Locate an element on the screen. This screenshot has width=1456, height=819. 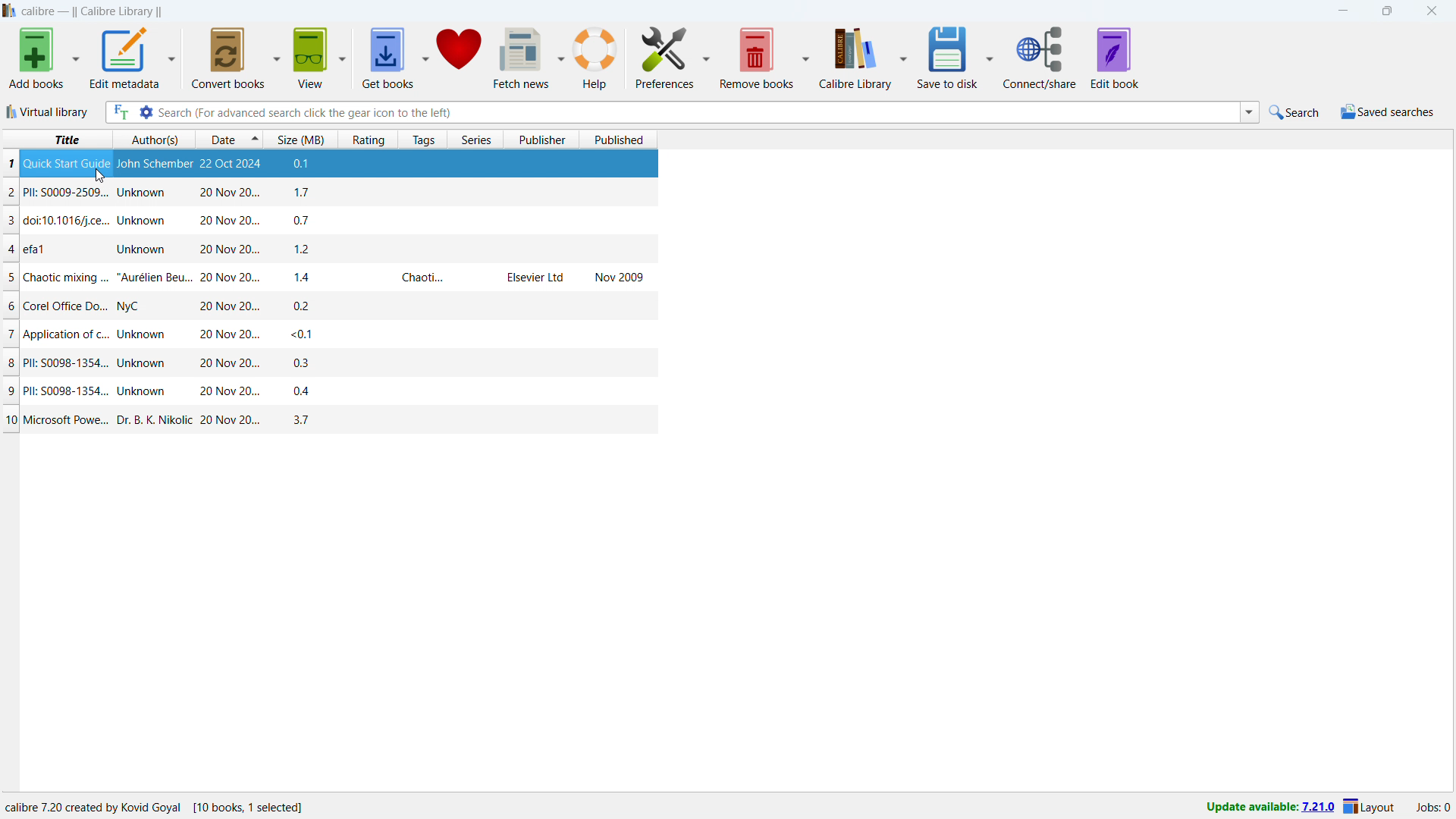
sort by size is located at coordinates (301, 139).